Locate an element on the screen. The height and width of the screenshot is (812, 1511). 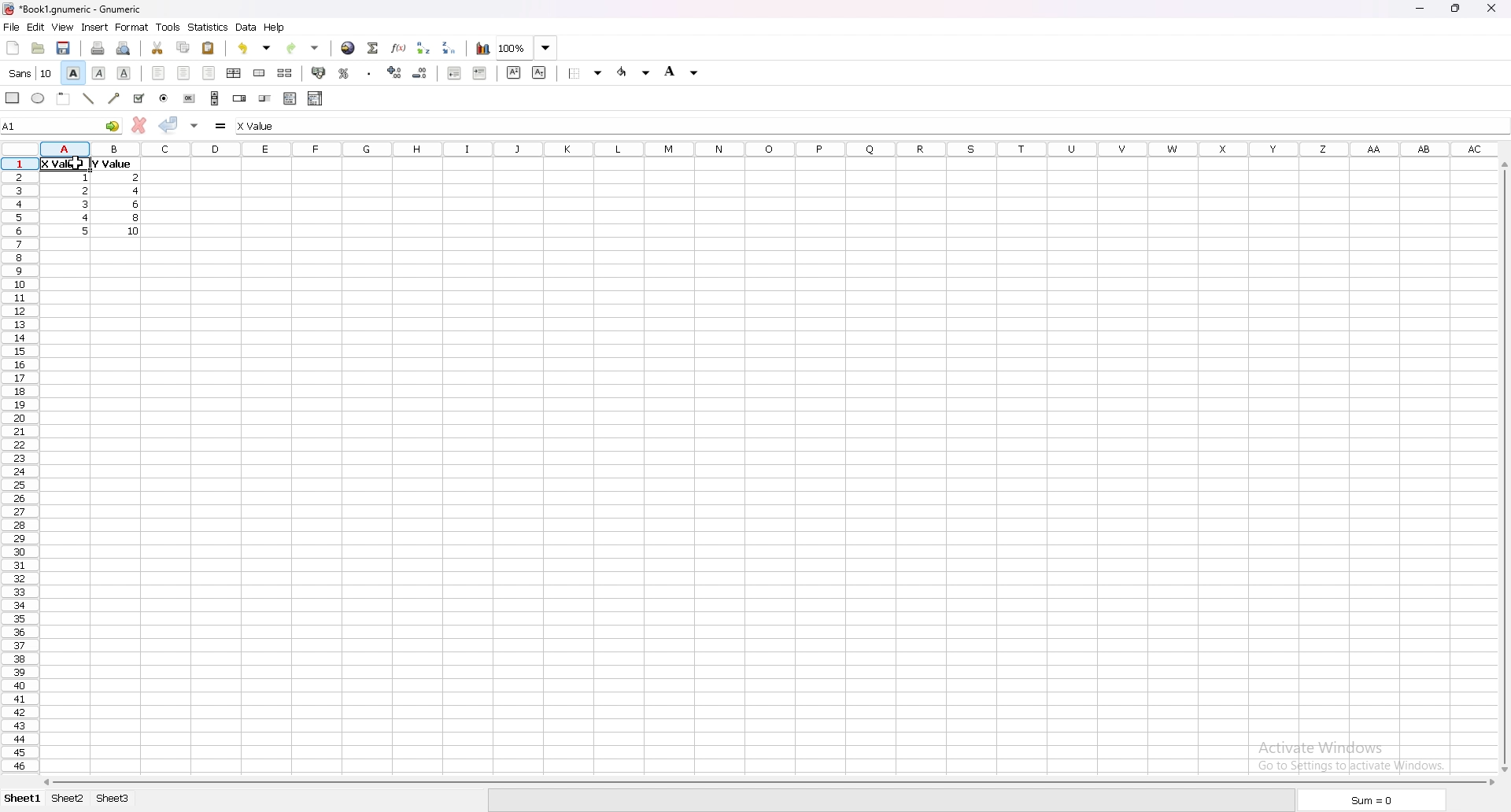
right align is located at coordinates (209, 73).